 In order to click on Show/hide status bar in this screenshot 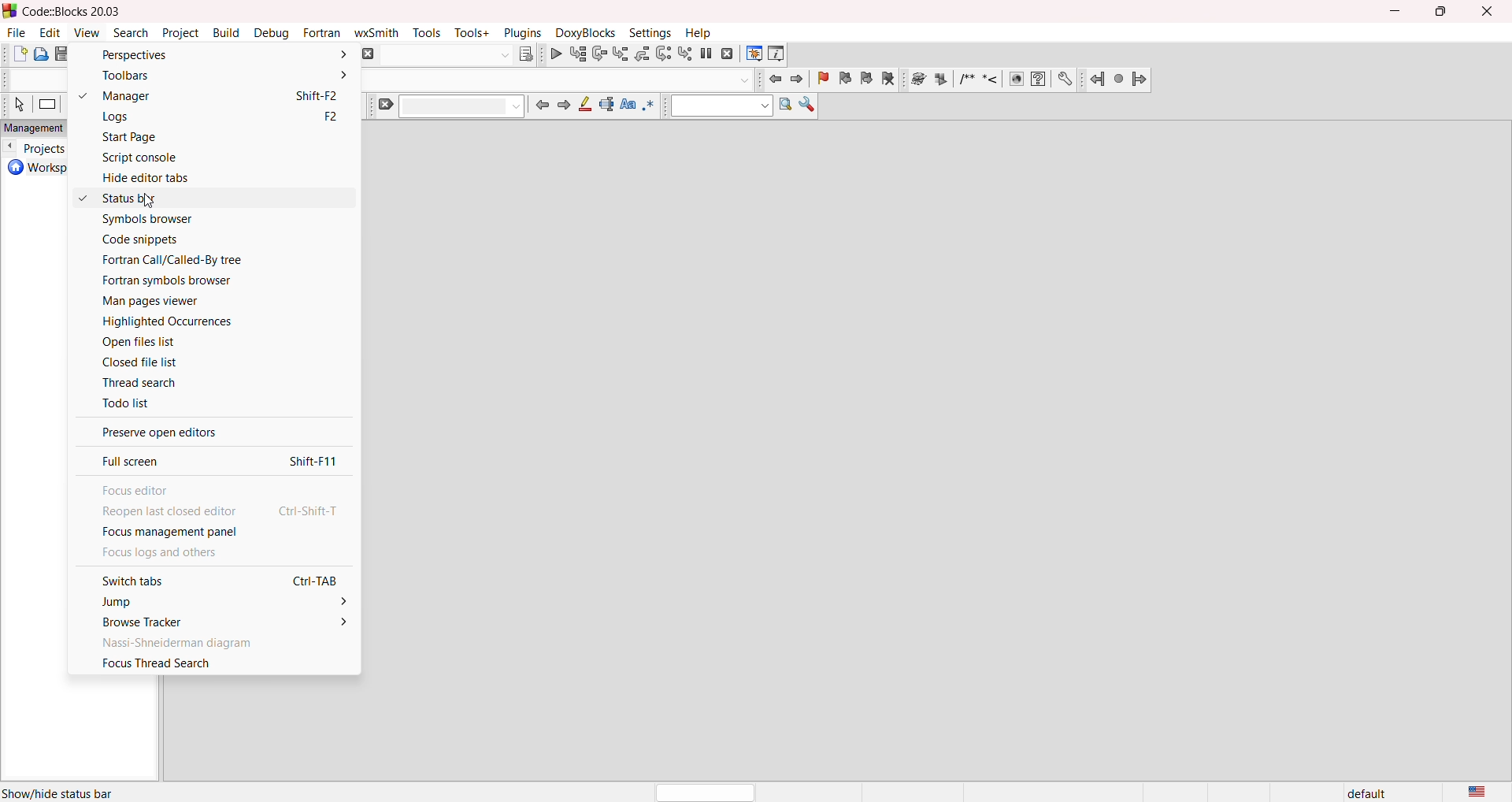, I will do `click(57, 793)`.